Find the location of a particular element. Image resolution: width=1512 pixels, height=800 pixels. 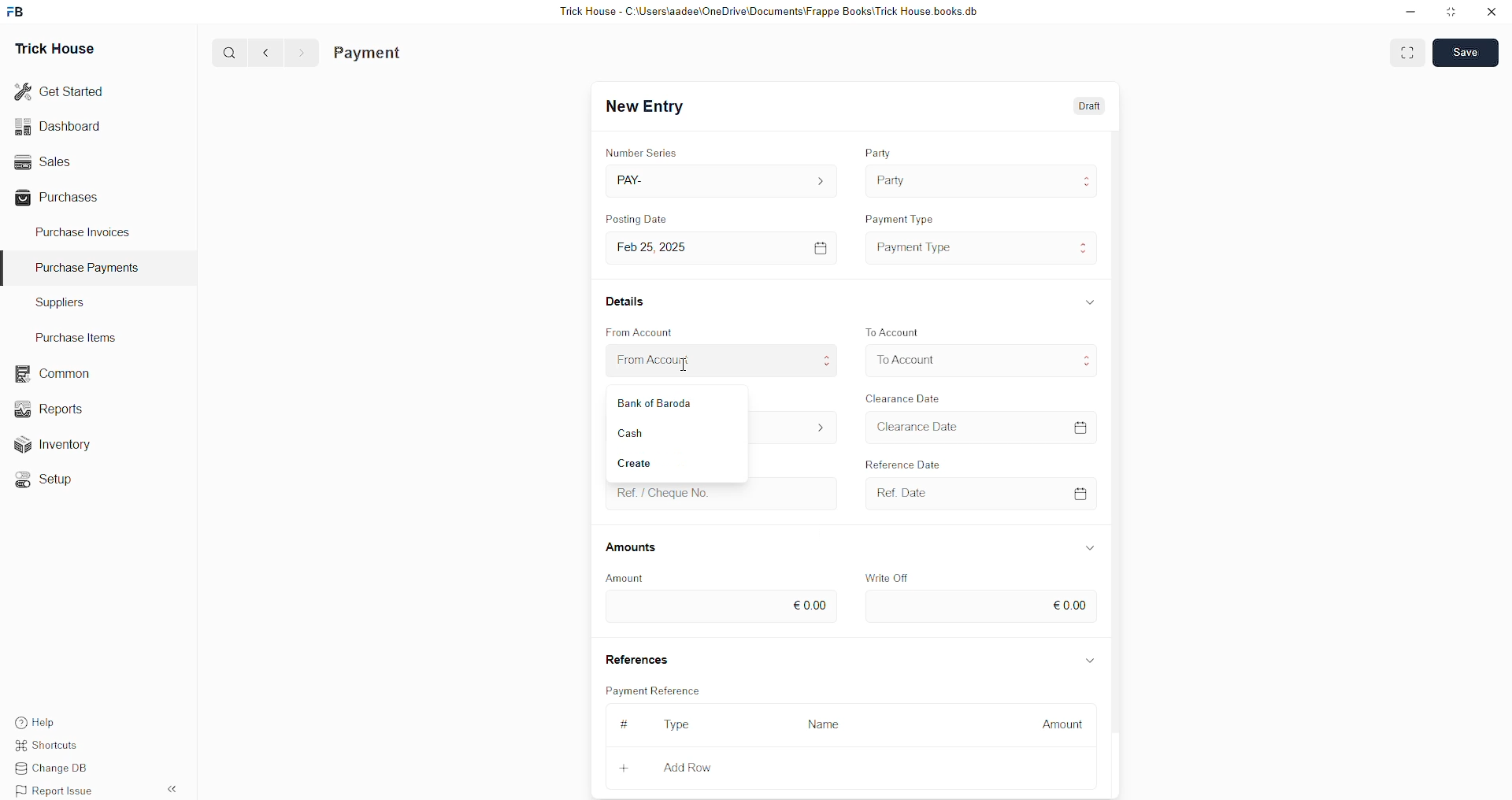

Amount is located at coordinates (625, 577).